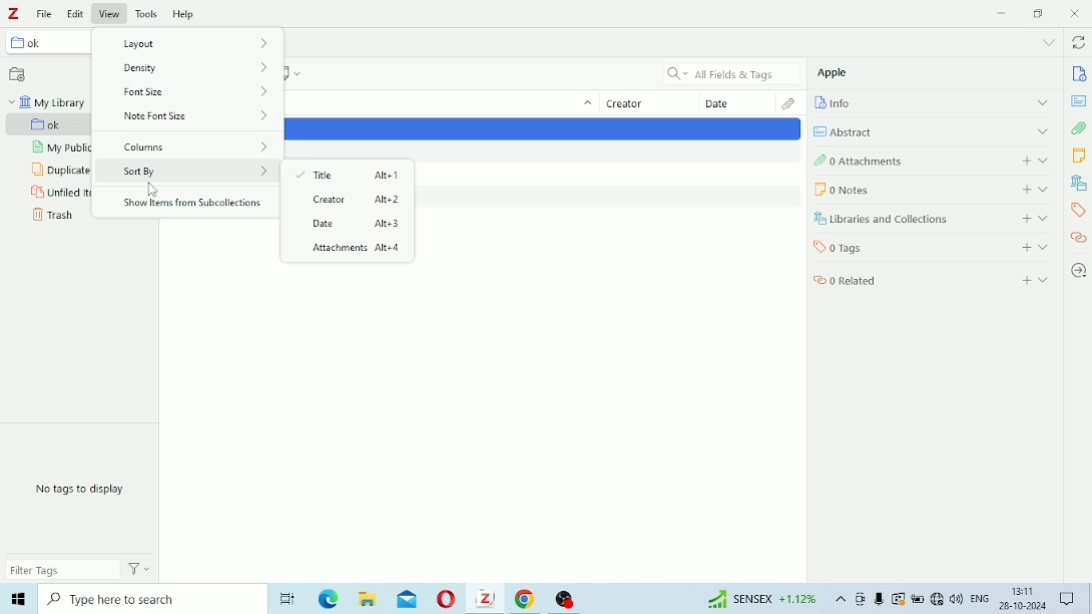  I want to click on Search All Fields & Tags, so click(727, 72).